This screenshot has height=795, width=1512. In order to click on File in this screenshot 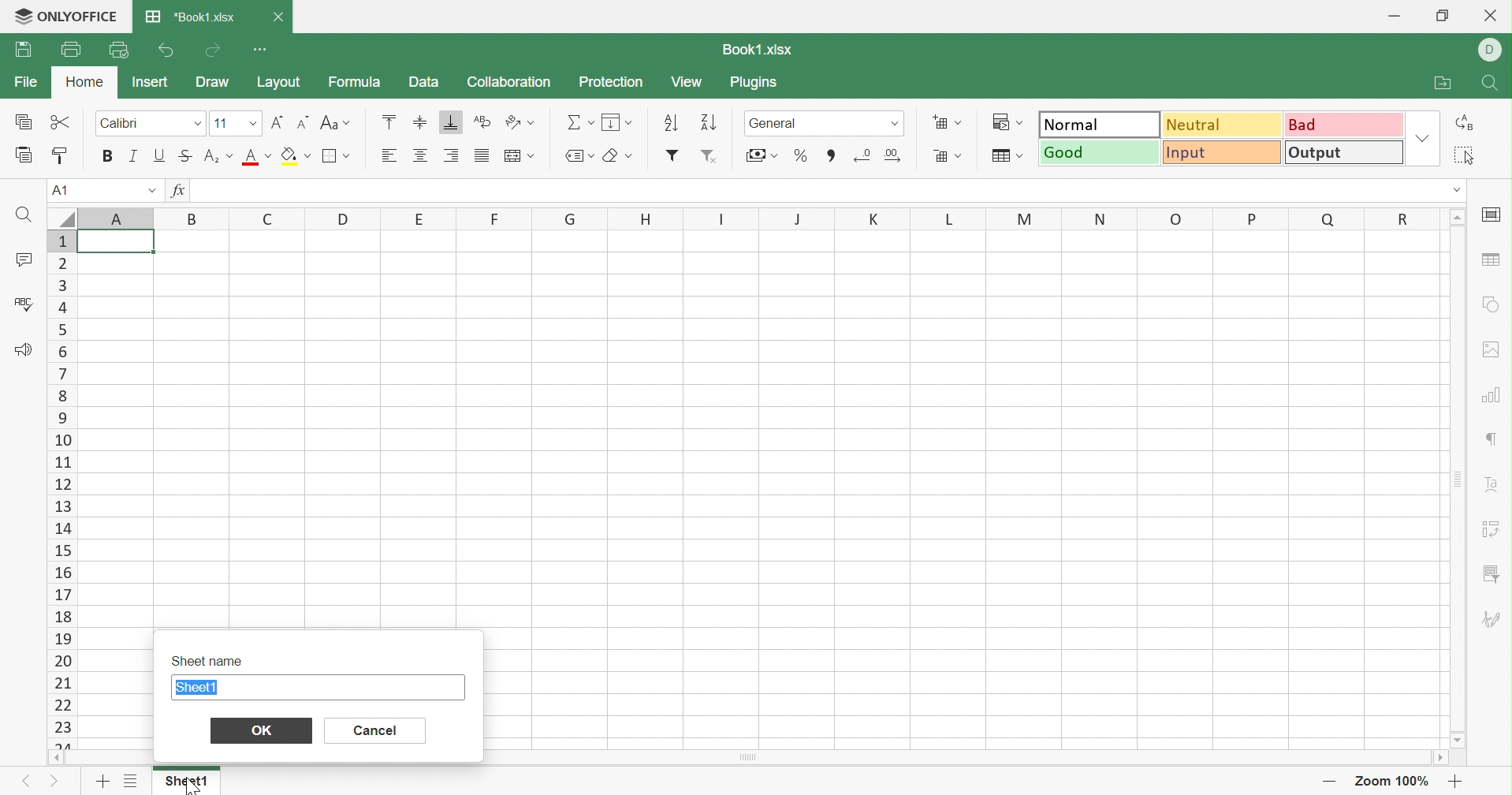, I will do `click(28, 80)`.